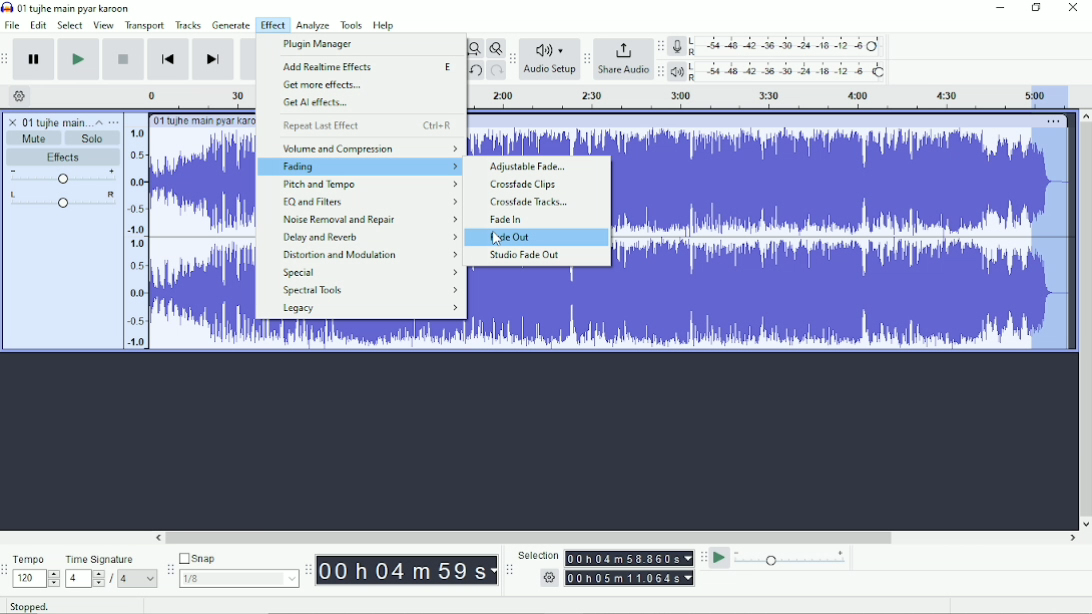 Image resolution: width=1092 pixels, height=614 pixels. Describe the element at coordinates (1001, 7) in the screenshot. I see `Minimize` at that location.